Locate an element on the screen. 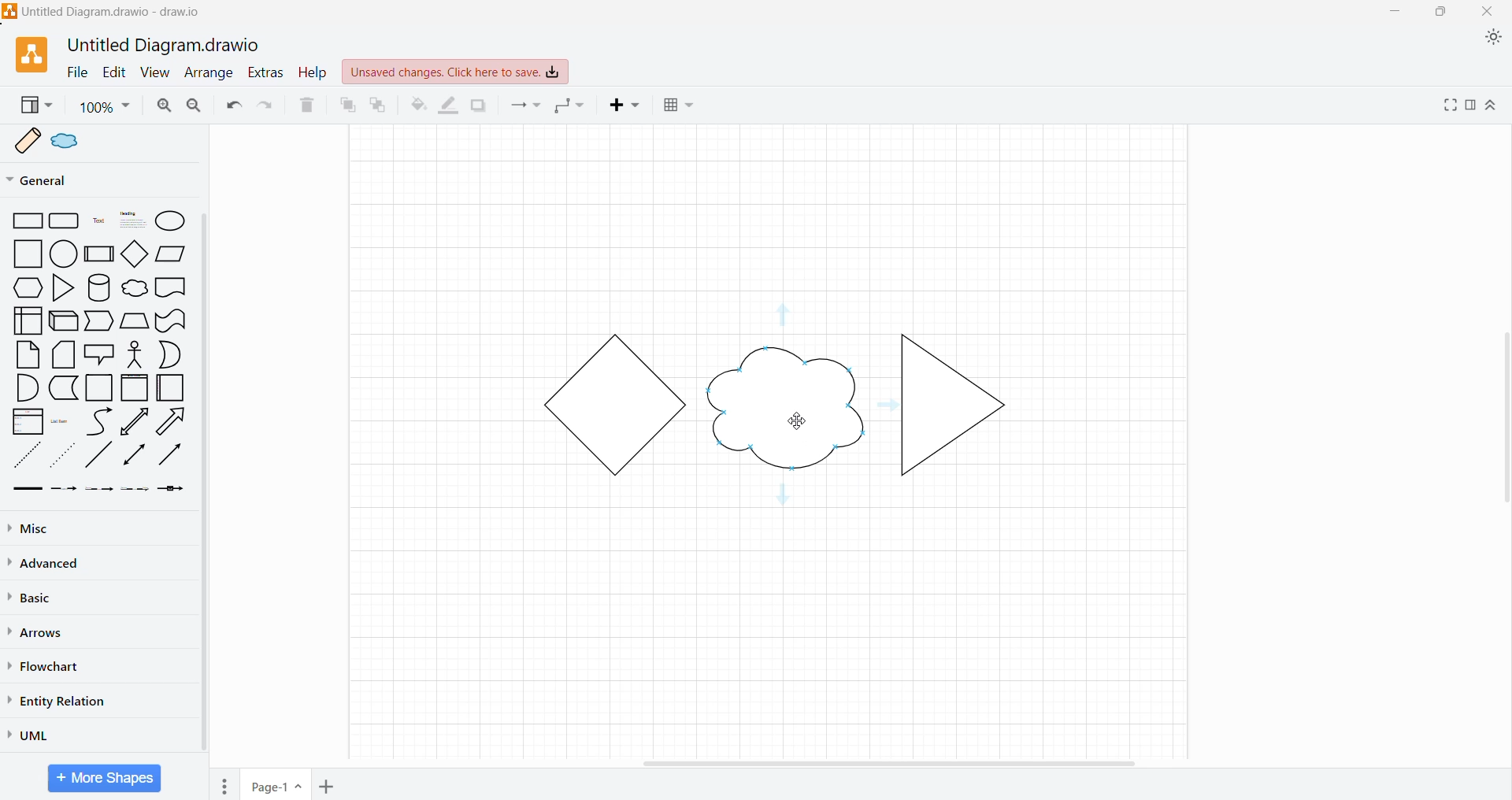  More Shapes is located at coordinates (104, 778).